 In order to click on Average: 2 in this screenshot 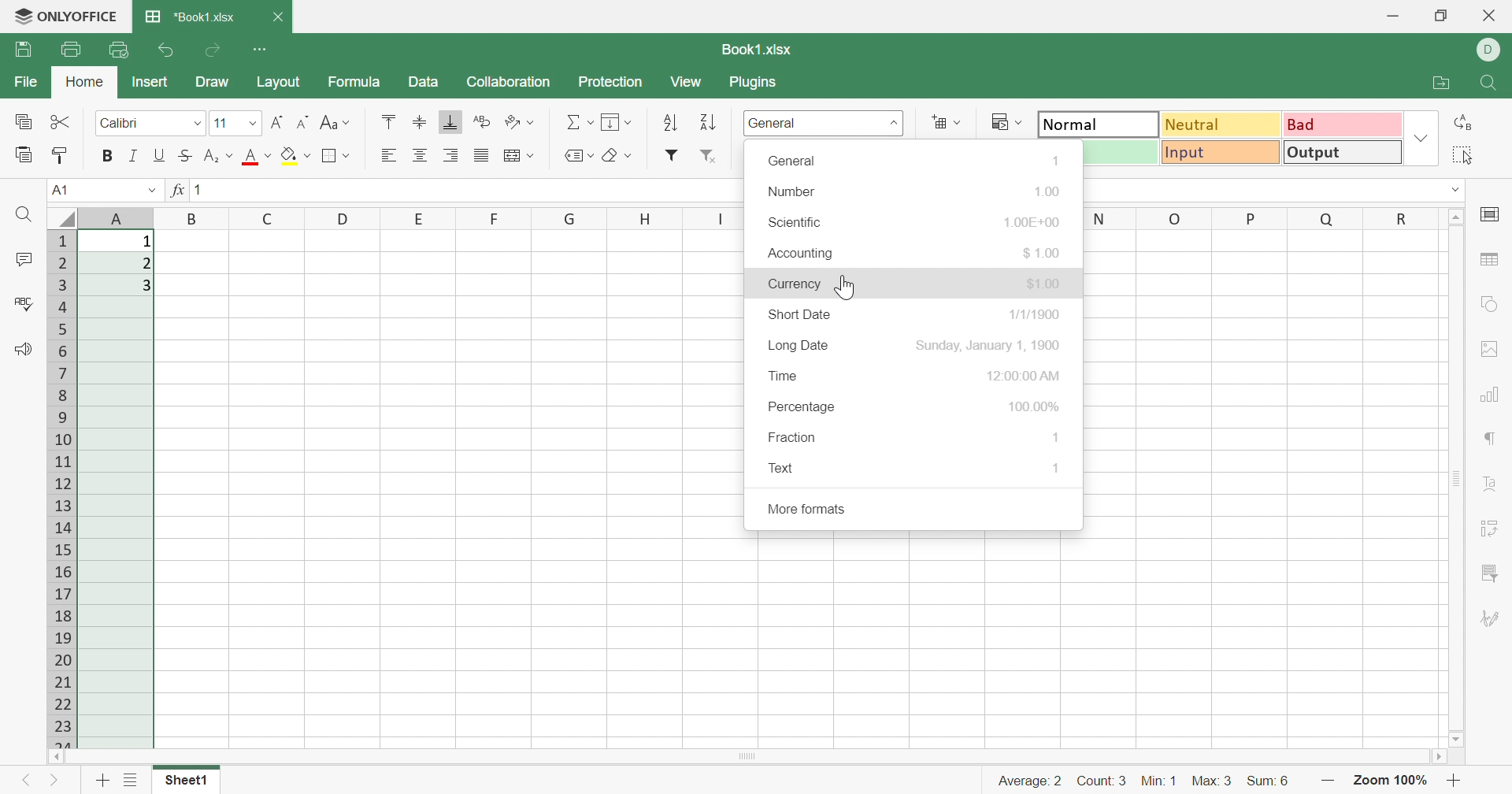, I will do `click(1029, 781)`.